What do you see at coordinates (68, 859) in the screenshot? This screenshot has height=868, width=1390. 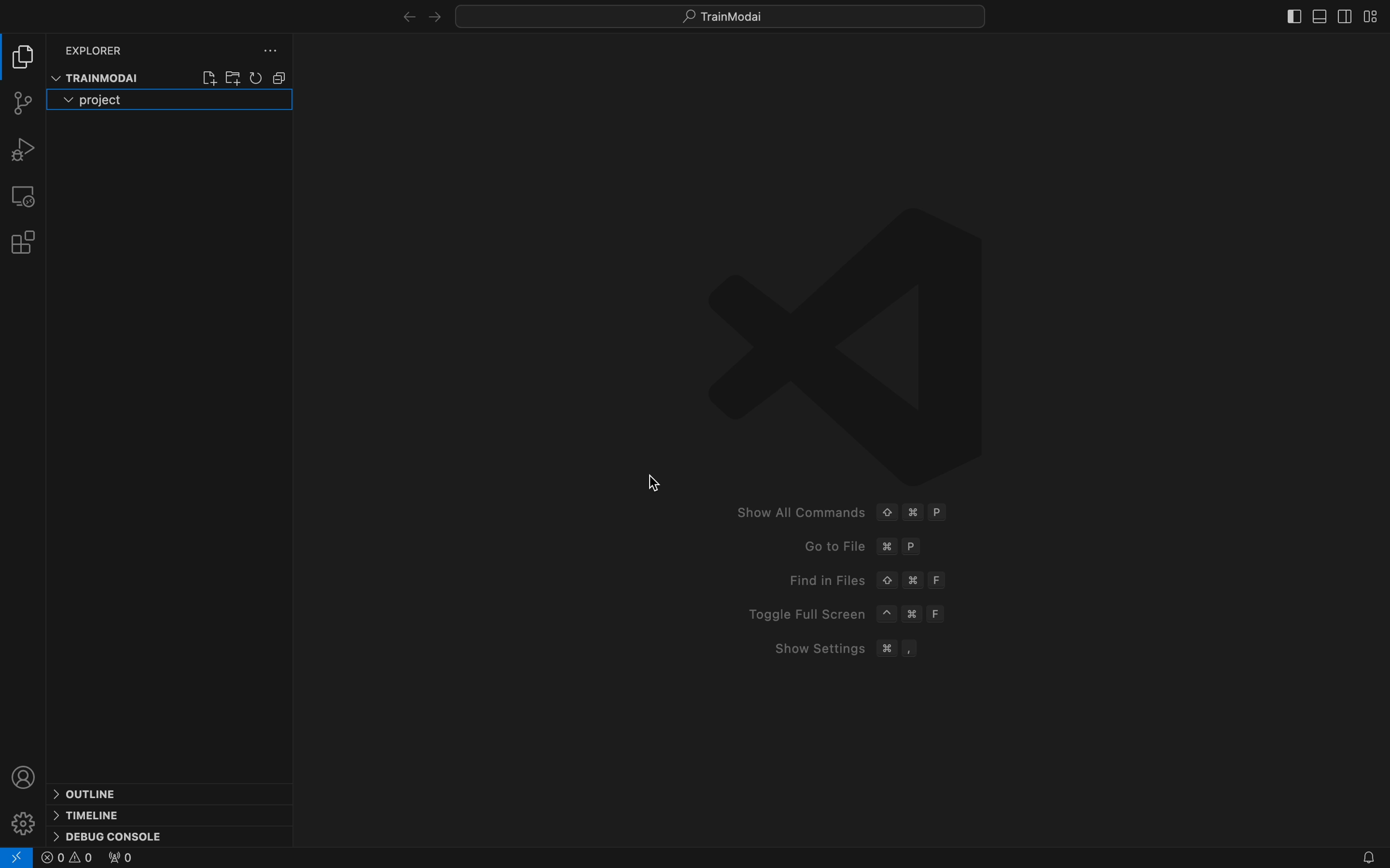 I see `0` at bounding box center [68, 859].